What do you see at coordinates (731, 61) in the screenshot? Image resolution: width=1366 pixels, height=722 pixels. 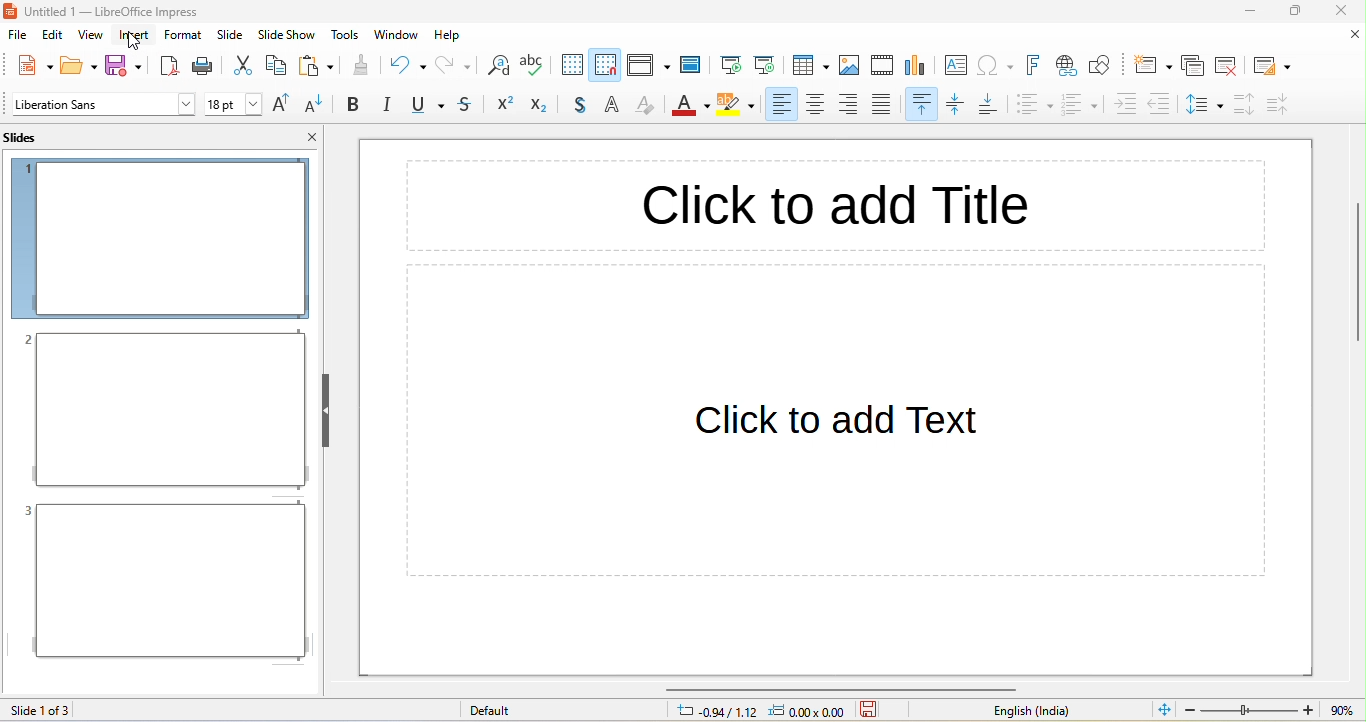 I see `first slide ` at bounding box center [731, 61].